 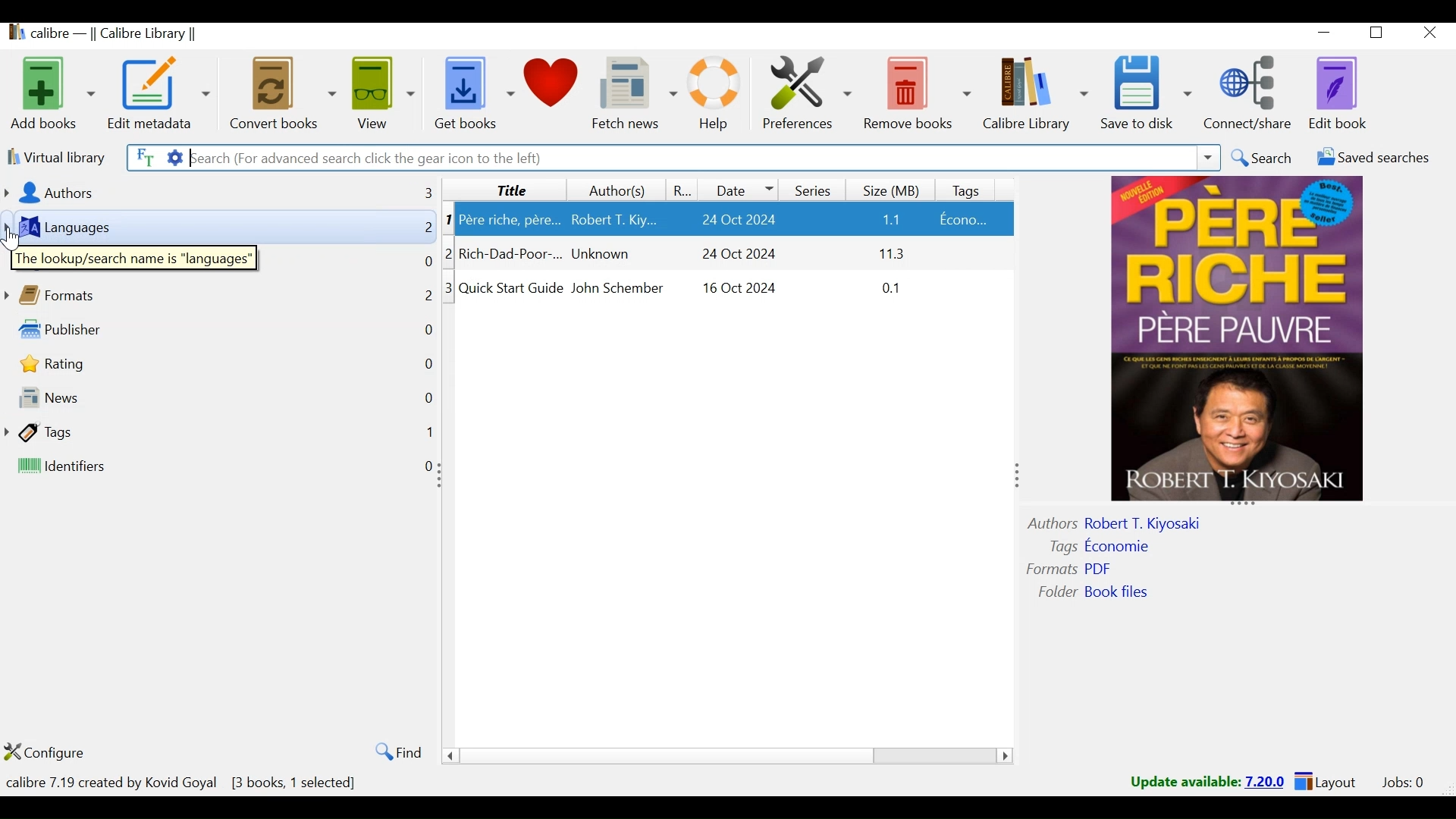 What do you see at coordinates (115, 329) in the screenshot?
I see `Publisher` at bounding box center [115, 329].